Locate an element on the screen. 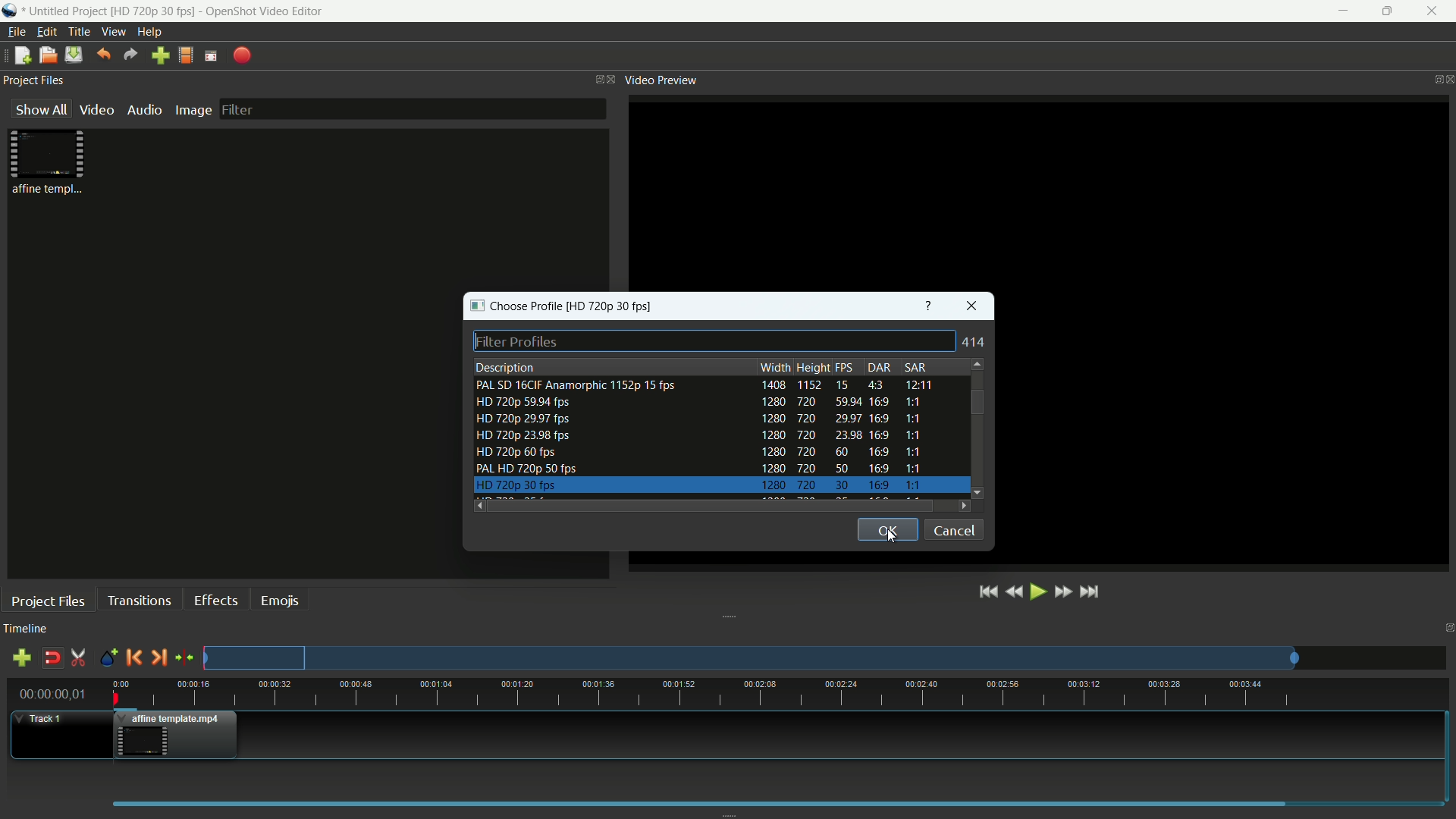  project name is located at coordinates (65, 11).